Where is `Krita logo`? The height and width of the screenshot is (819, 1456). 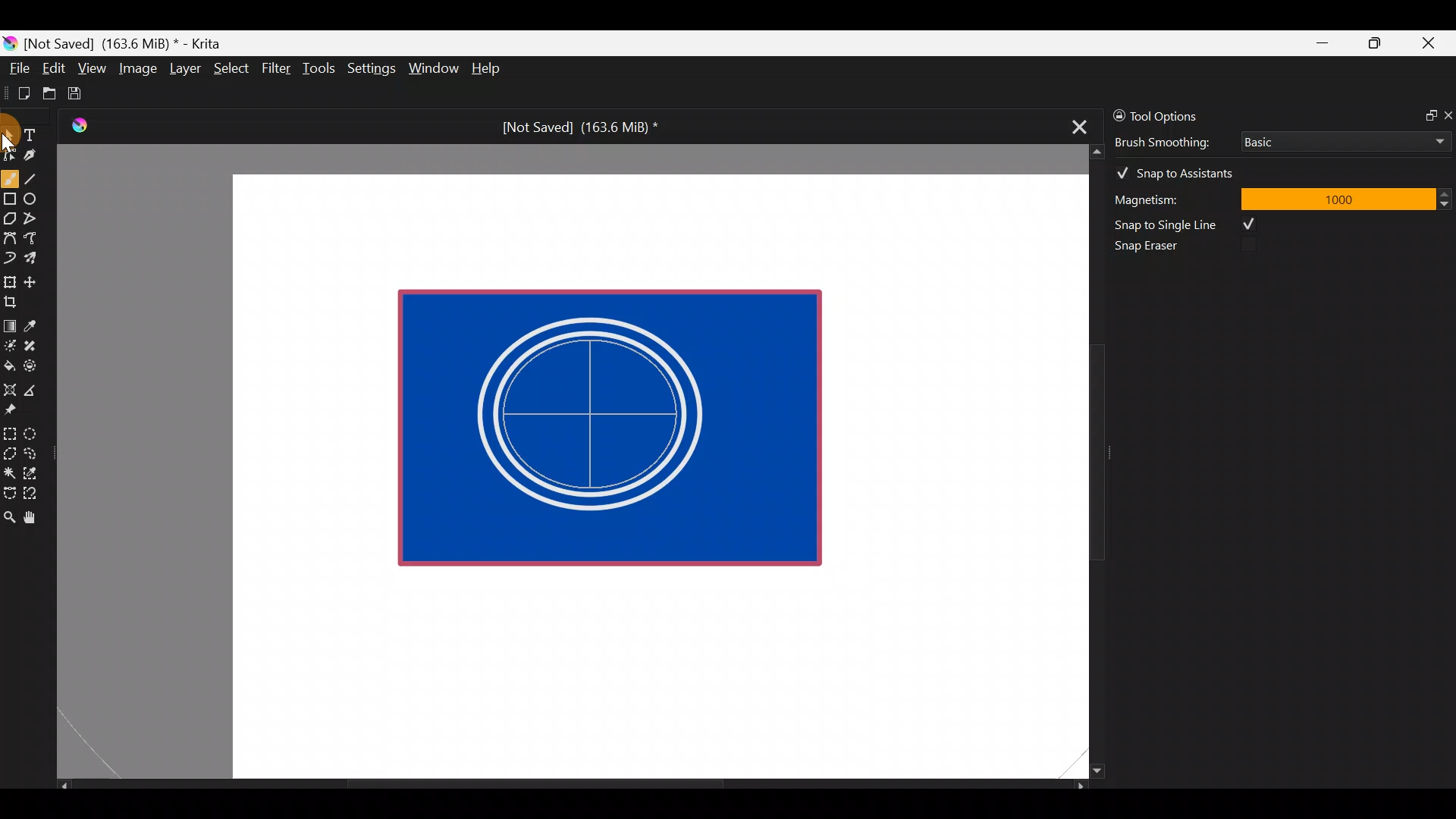 Krita logo is located at coordinates (10, 42).